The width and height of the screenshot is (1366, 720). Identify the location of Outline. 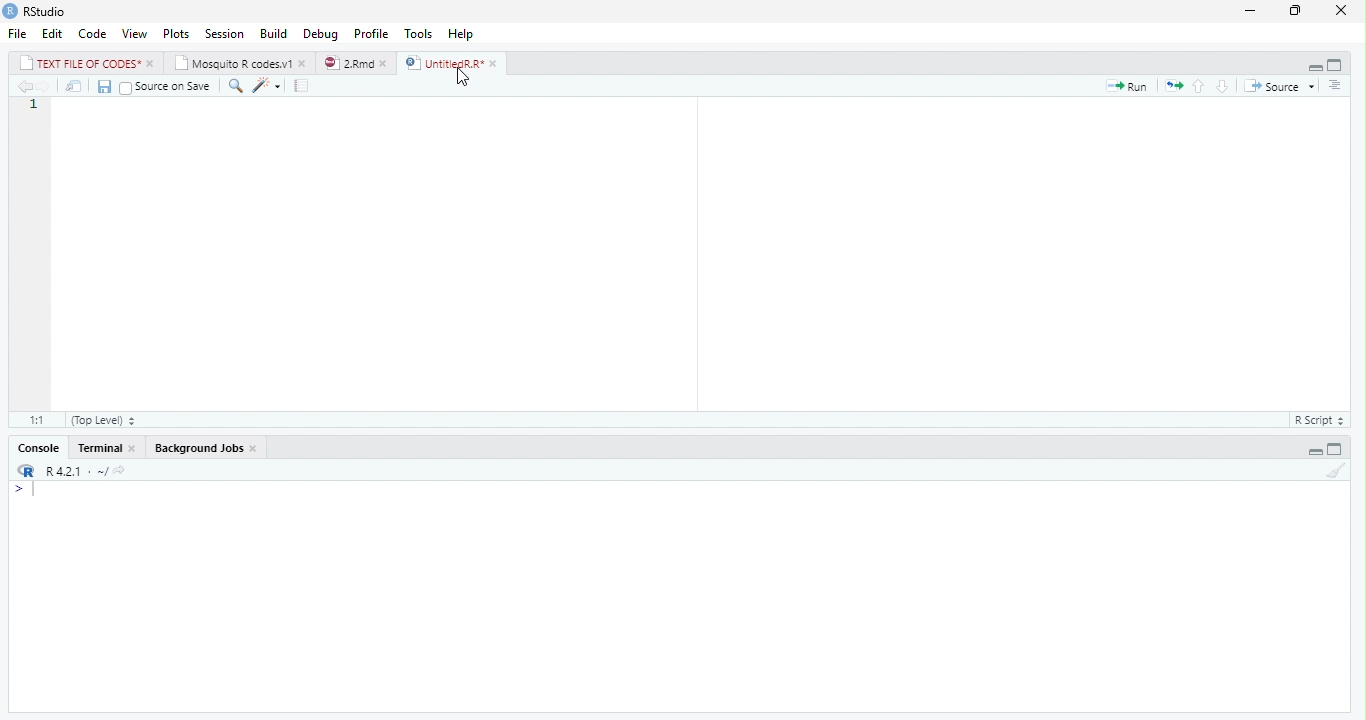
(1335, 86).